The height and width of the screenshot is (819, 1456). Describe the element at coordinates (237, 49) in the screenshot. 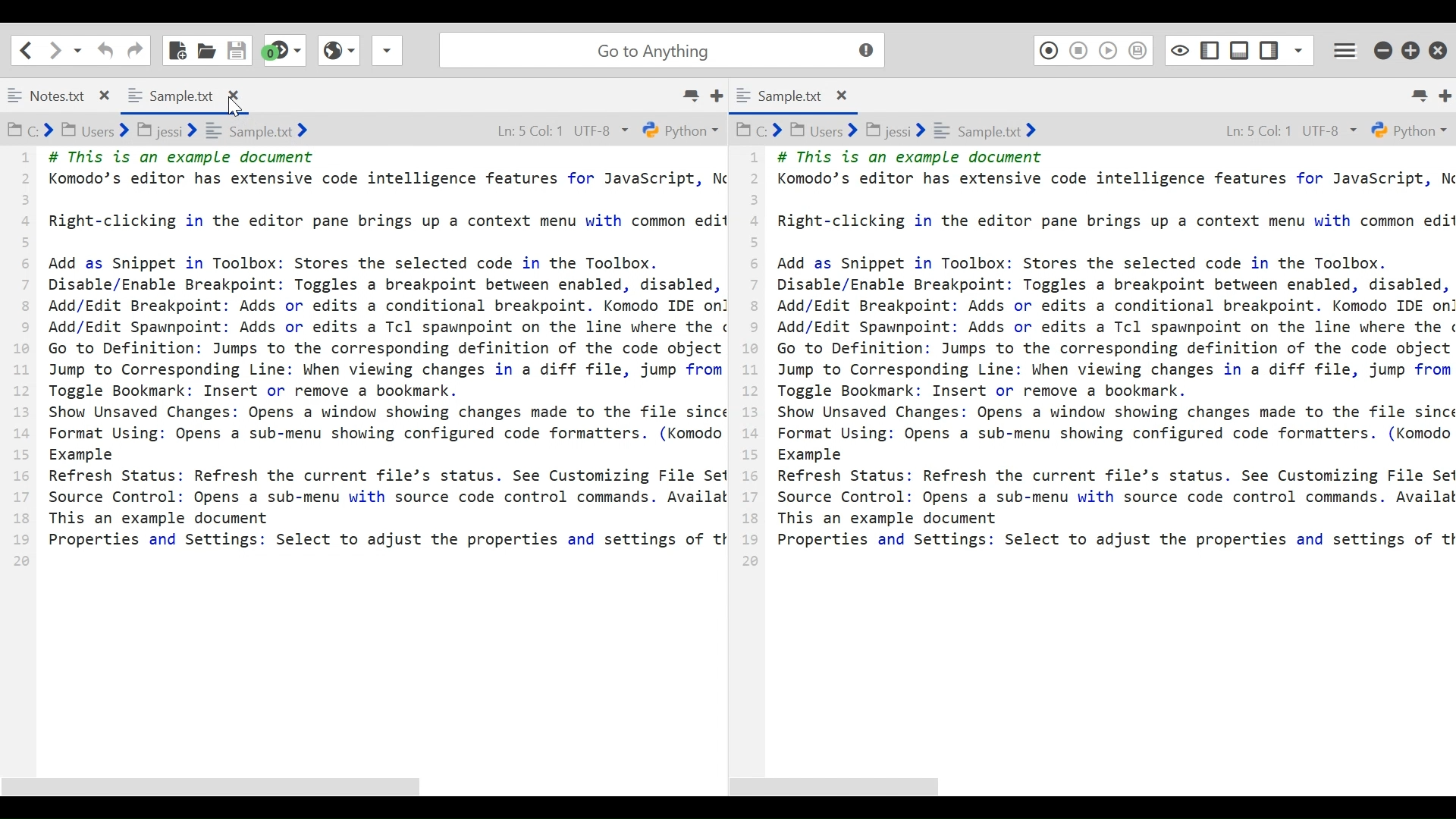

I see `Save File` at that location.